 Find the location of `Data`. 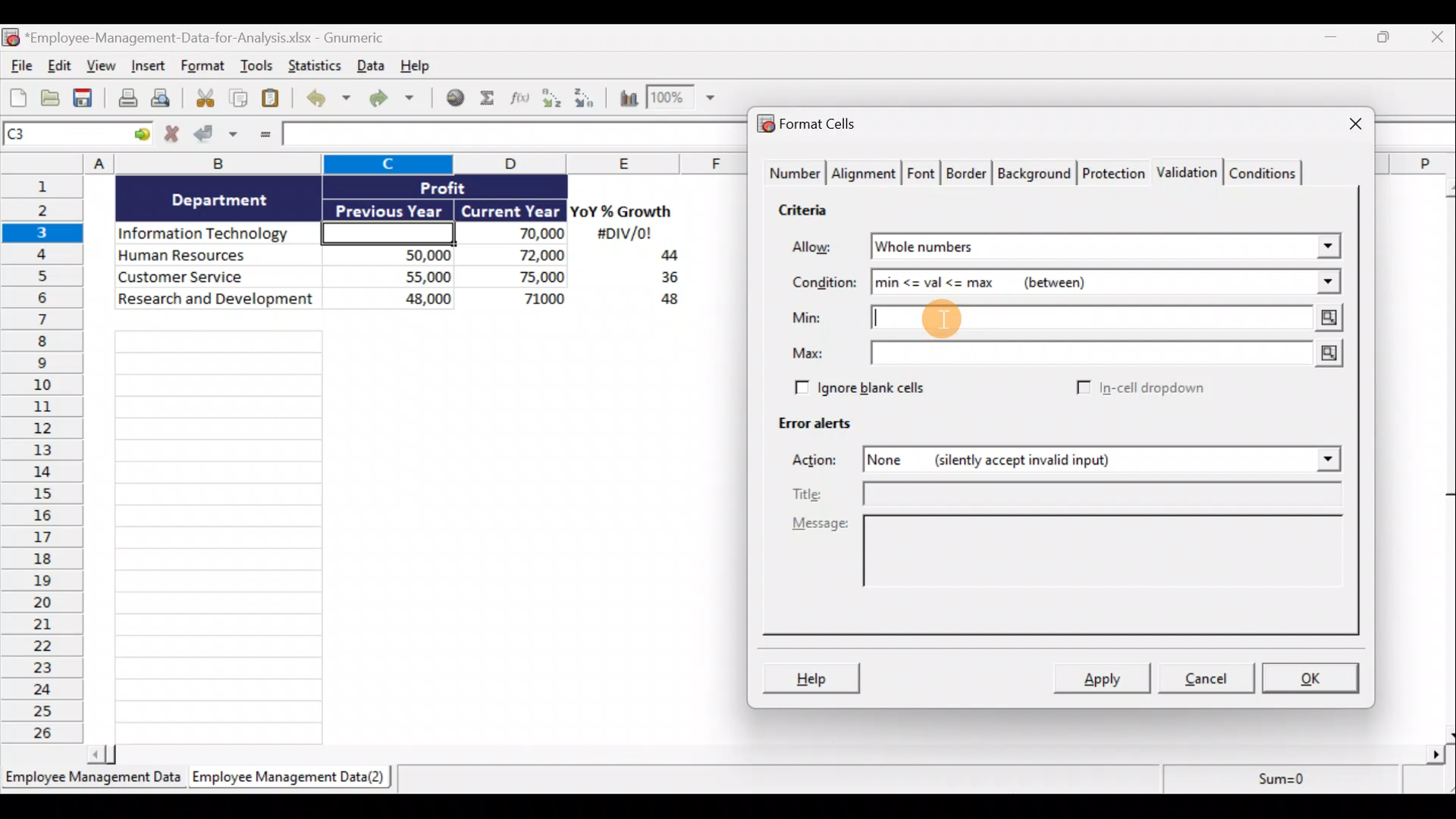

Data is located at coordinates (369, 65).